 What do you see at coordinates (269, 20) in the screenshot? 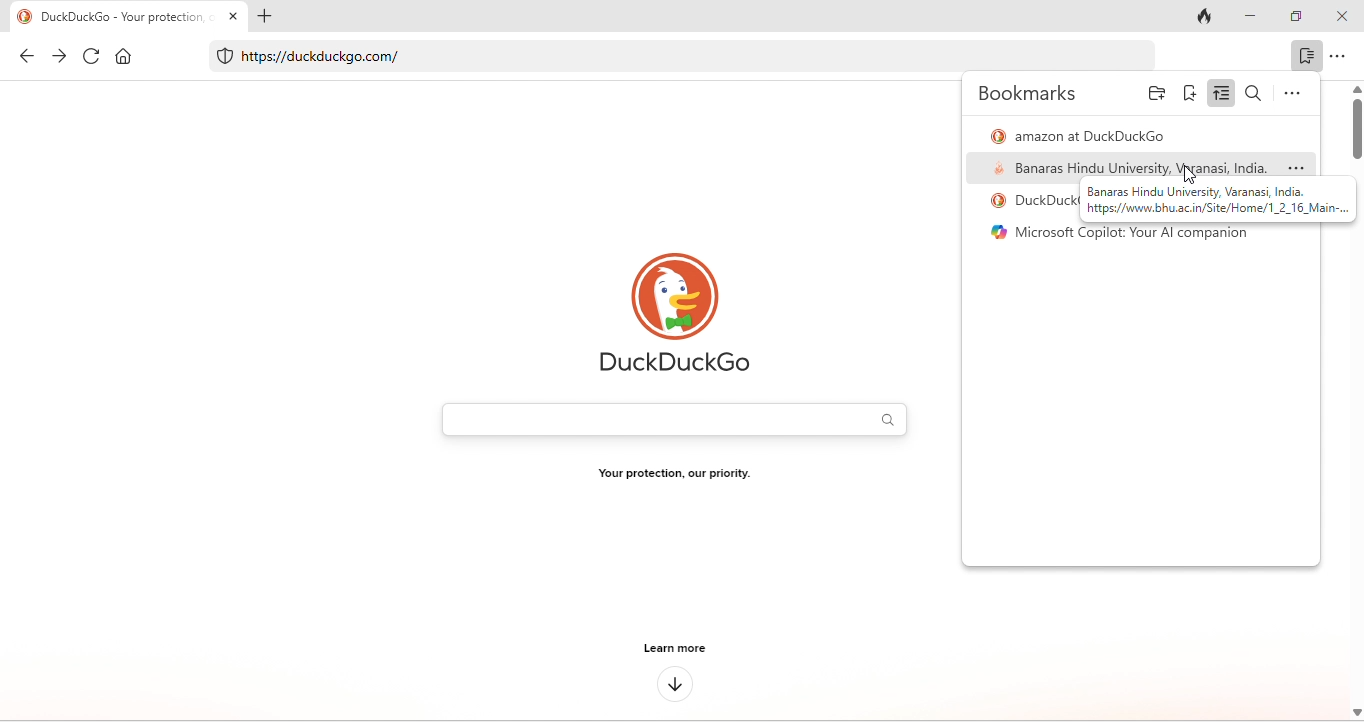
I see `add` at bounding box center [269, 20].